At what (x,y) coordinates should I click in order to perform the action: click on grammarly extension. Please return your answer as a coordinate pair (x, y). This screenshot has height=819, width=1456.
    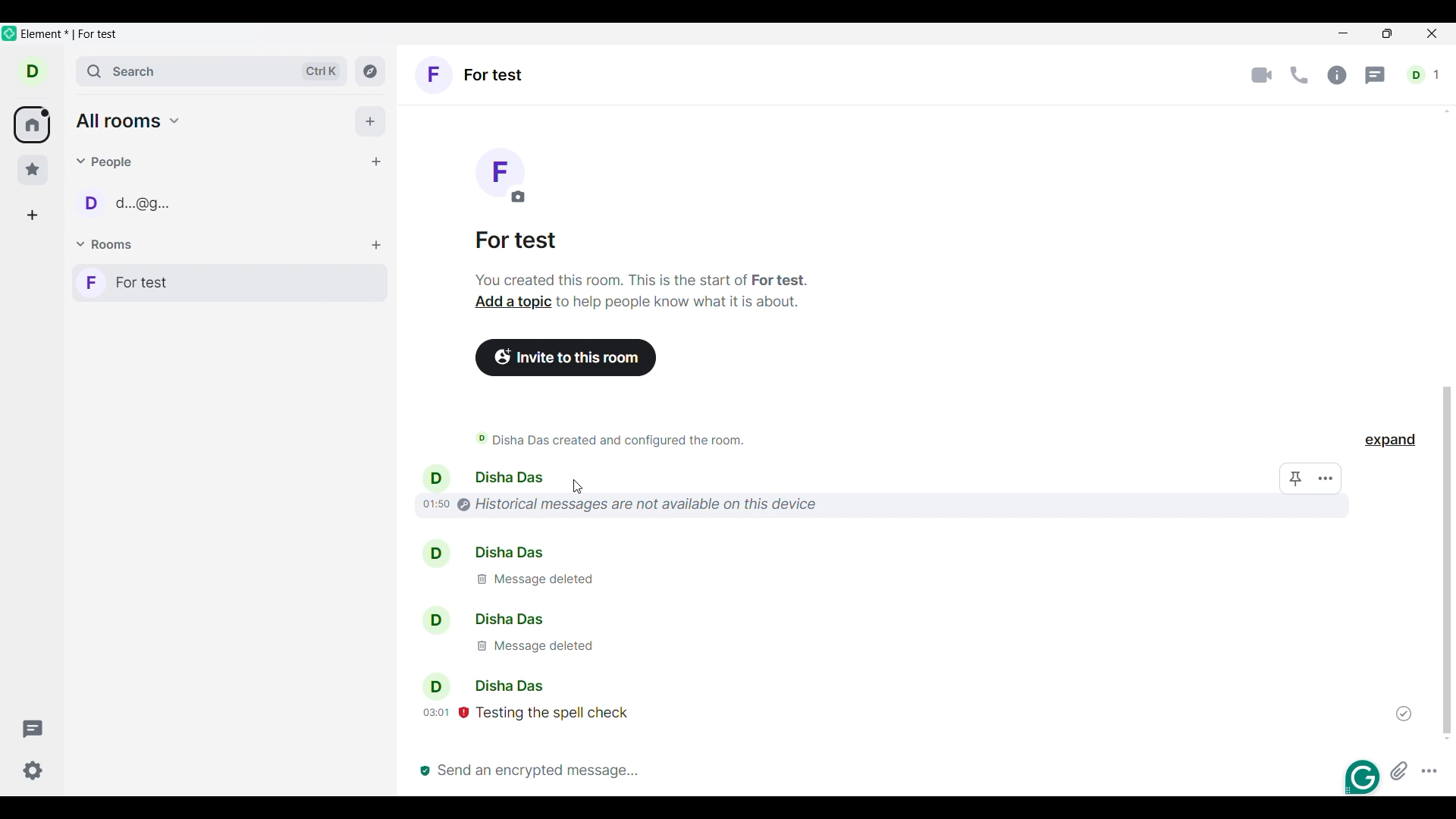
    Looking at the image, I should click on (1360, 777).